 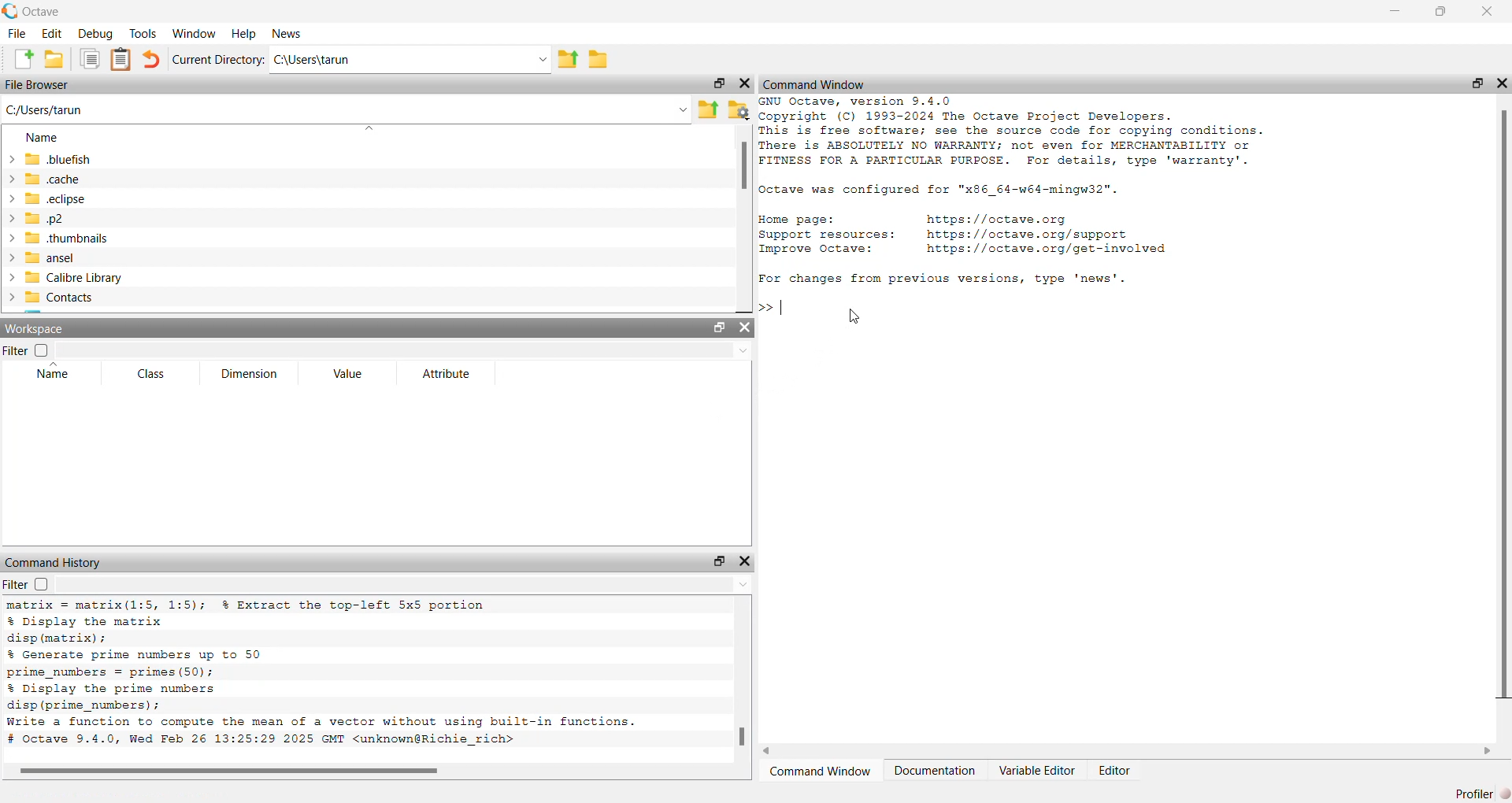 I want to click on Value , so click(x=349, y=373).